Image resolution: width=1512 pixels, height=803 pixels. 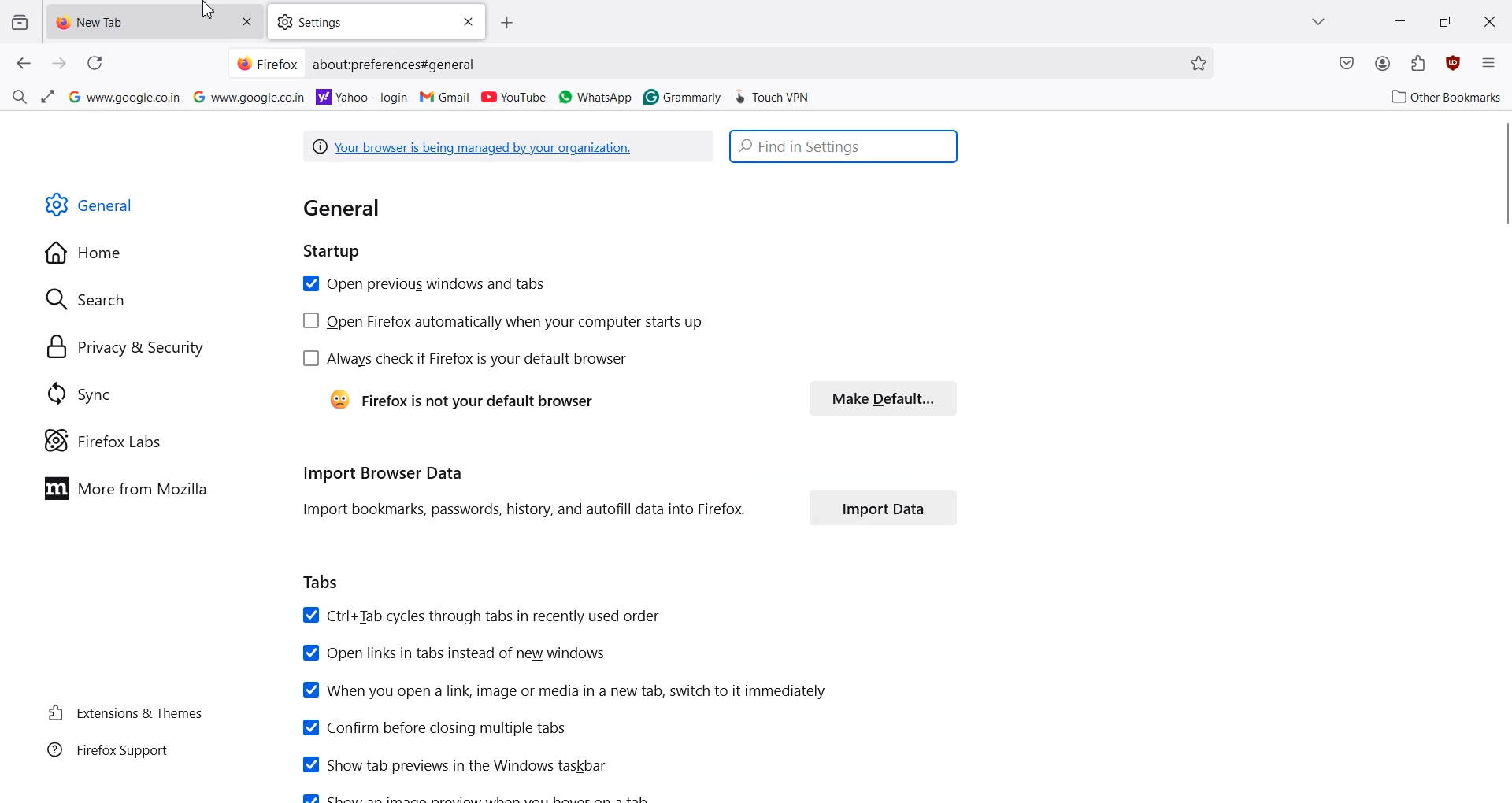 What do you see at coordinates (246, 22) in the screenshot?
I see `Close Tab` at bounding box center [246, 22].